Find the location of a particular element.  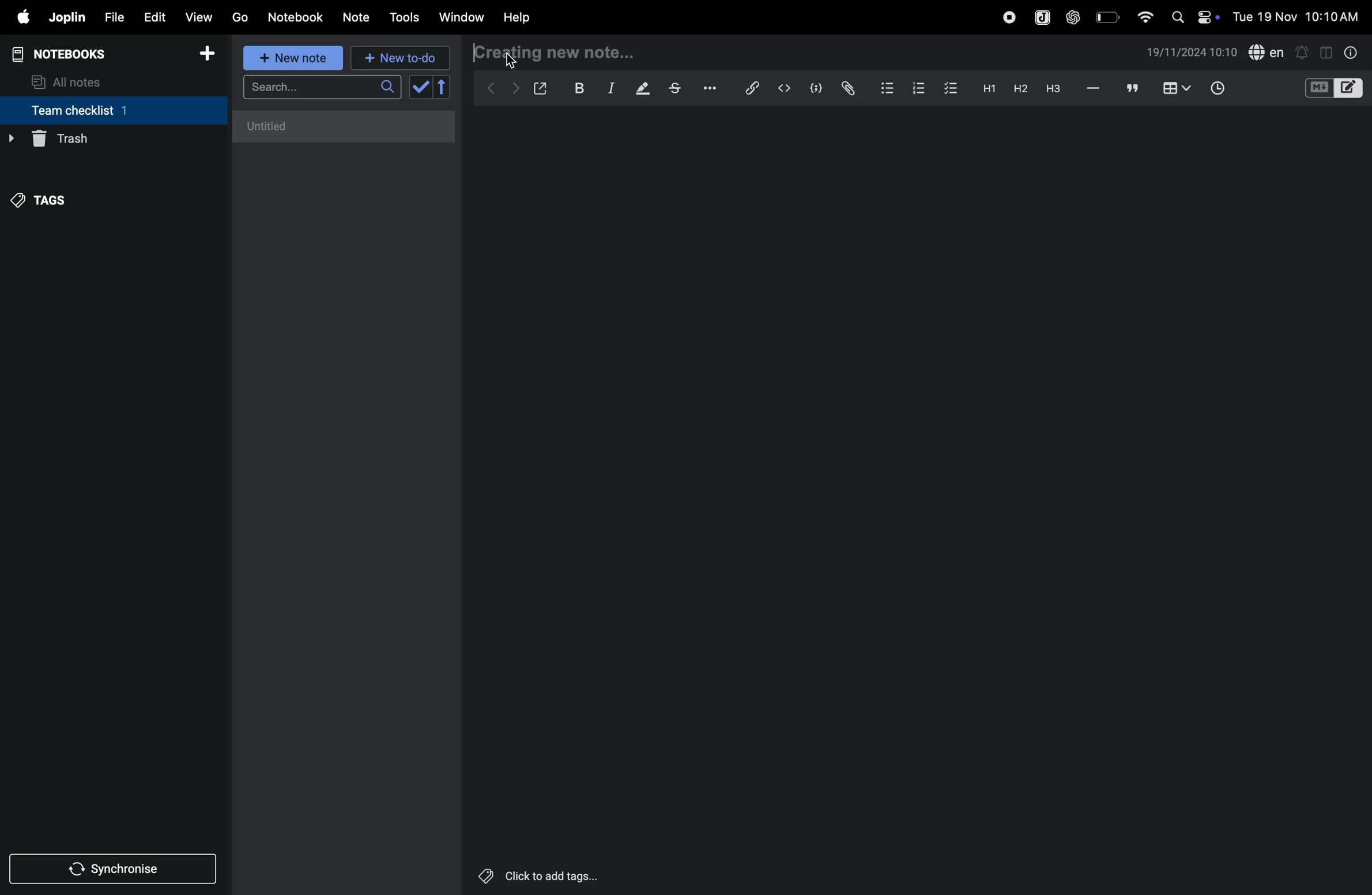

open window is located at coordinates (541, 86).